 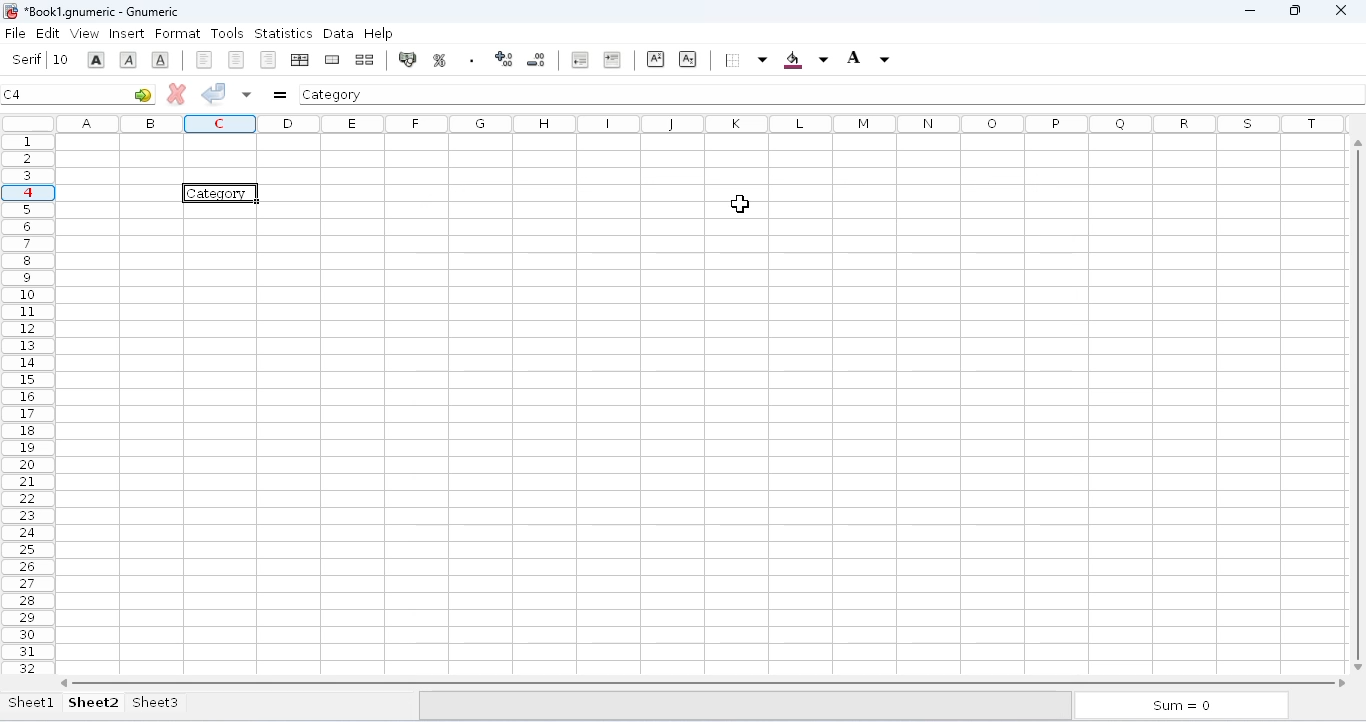 I want to click on category, so click(x=333, y=94).